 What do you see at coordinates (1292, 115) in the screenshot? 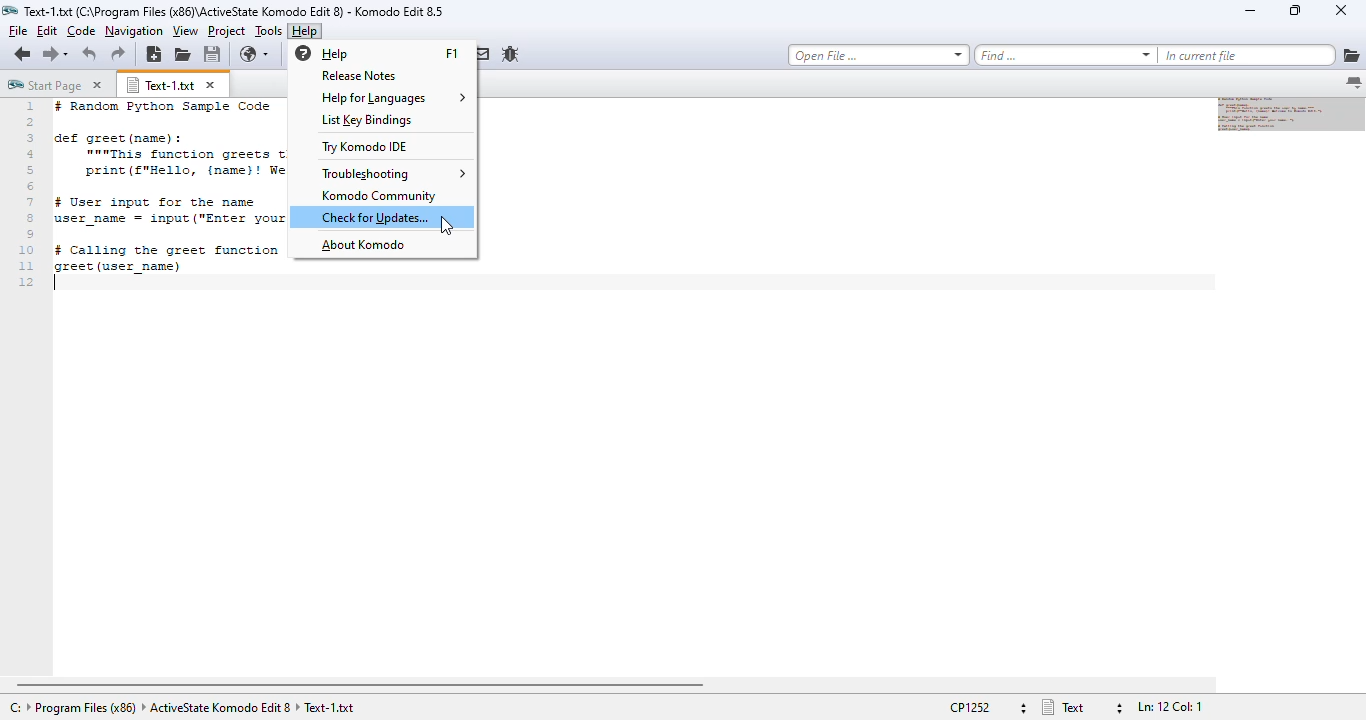
I see `minimap` at bounding box center [1292, 115].